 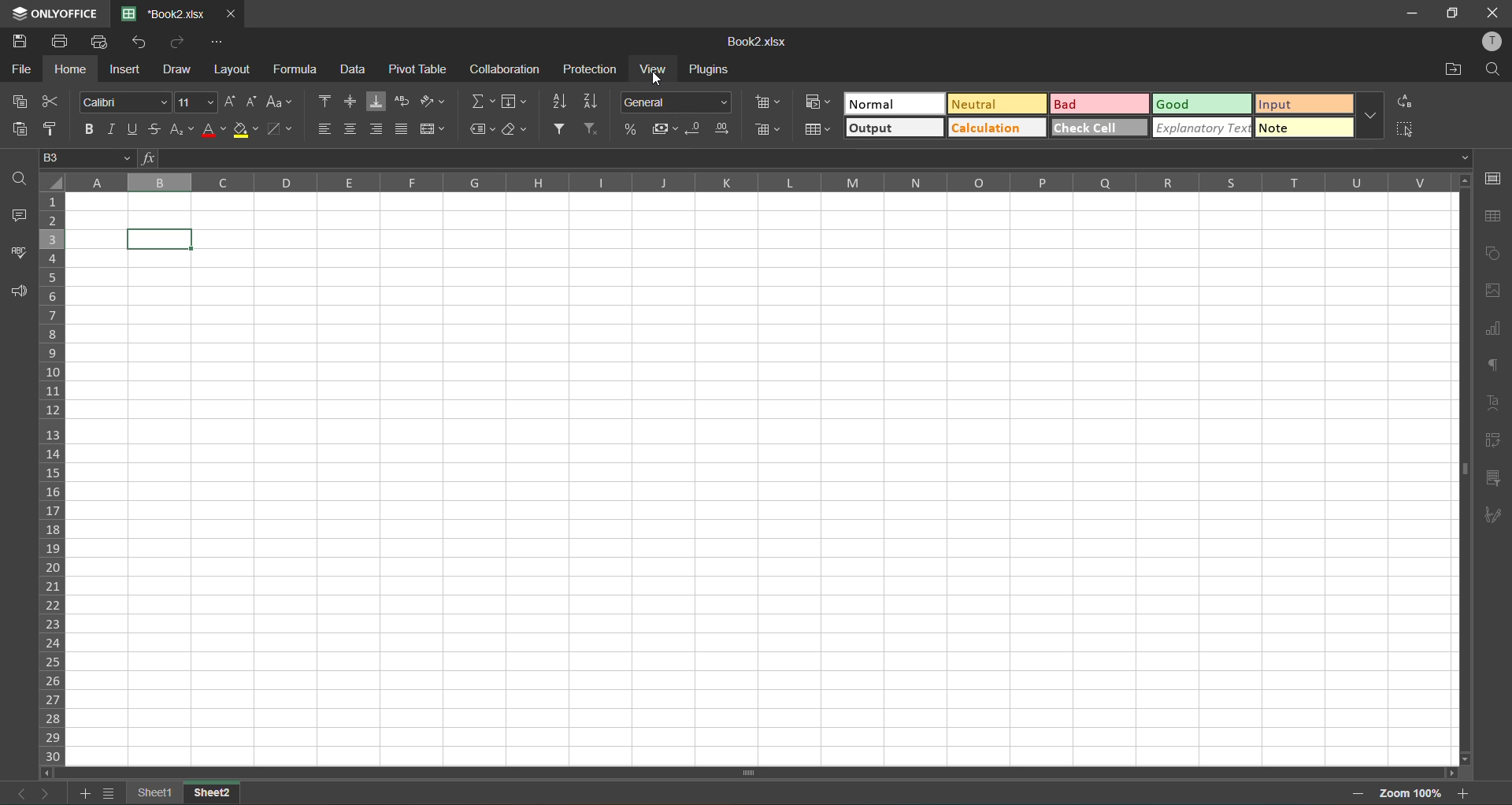 What do you see at coordinates (1409, 12) in the screenshot?
I see `minimize` at bounding box center [1409, 12].